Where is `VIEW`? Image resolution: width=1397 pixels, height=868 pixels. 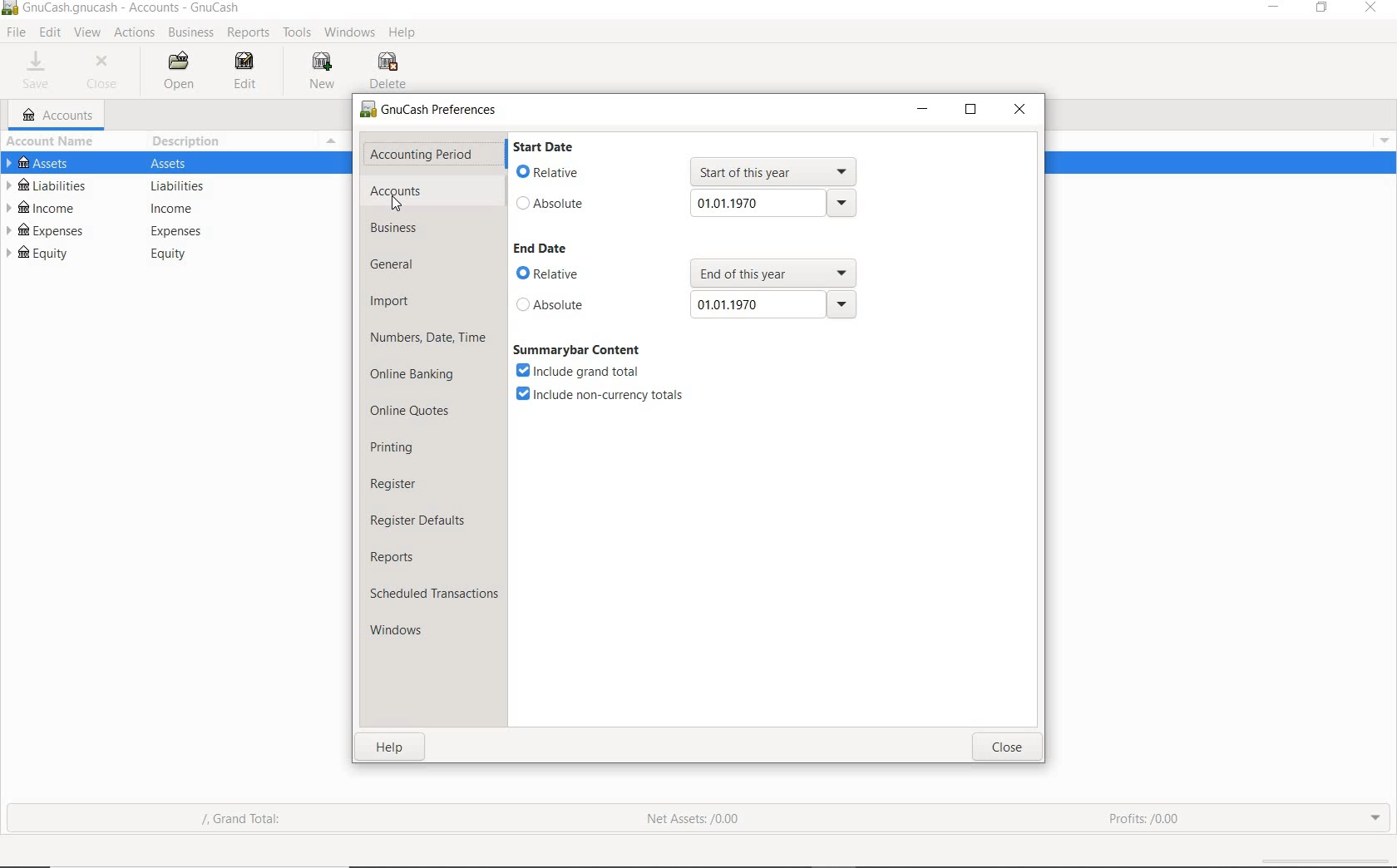 VIEW is located at coordinates (87, 31).